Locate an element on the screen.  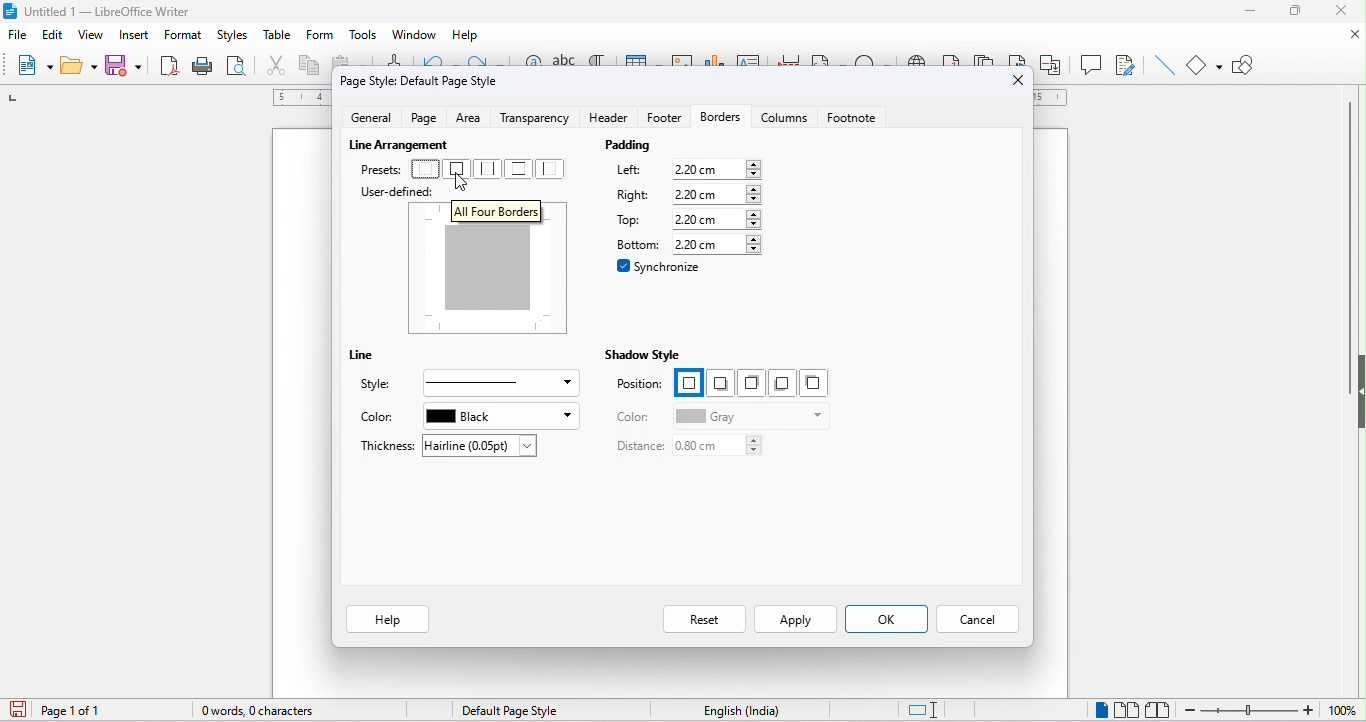
maximize is located at coordinates (1299, 11).